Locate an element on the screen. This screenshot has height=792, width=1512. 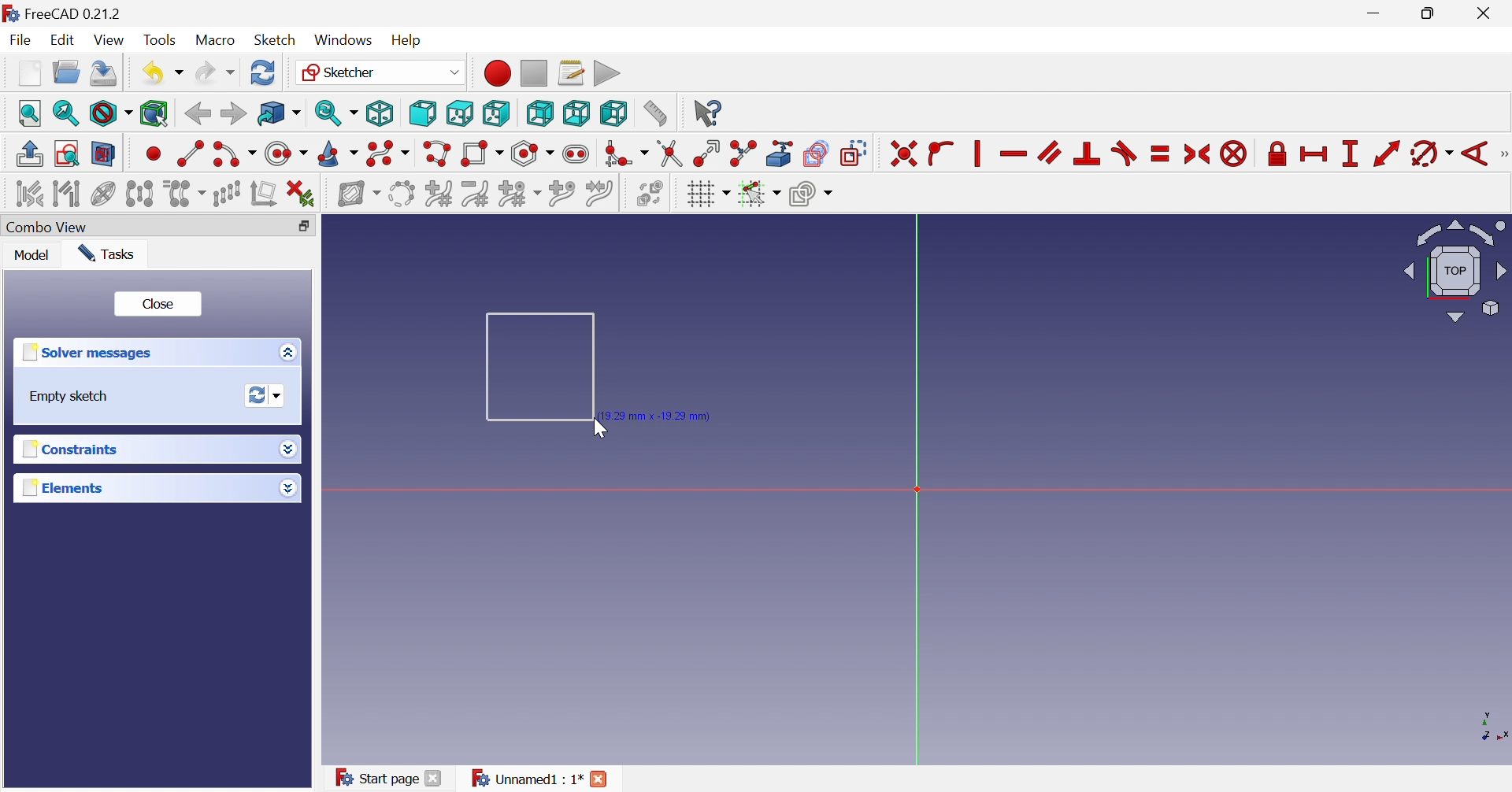
Edit is located at coordinates (65, 40).